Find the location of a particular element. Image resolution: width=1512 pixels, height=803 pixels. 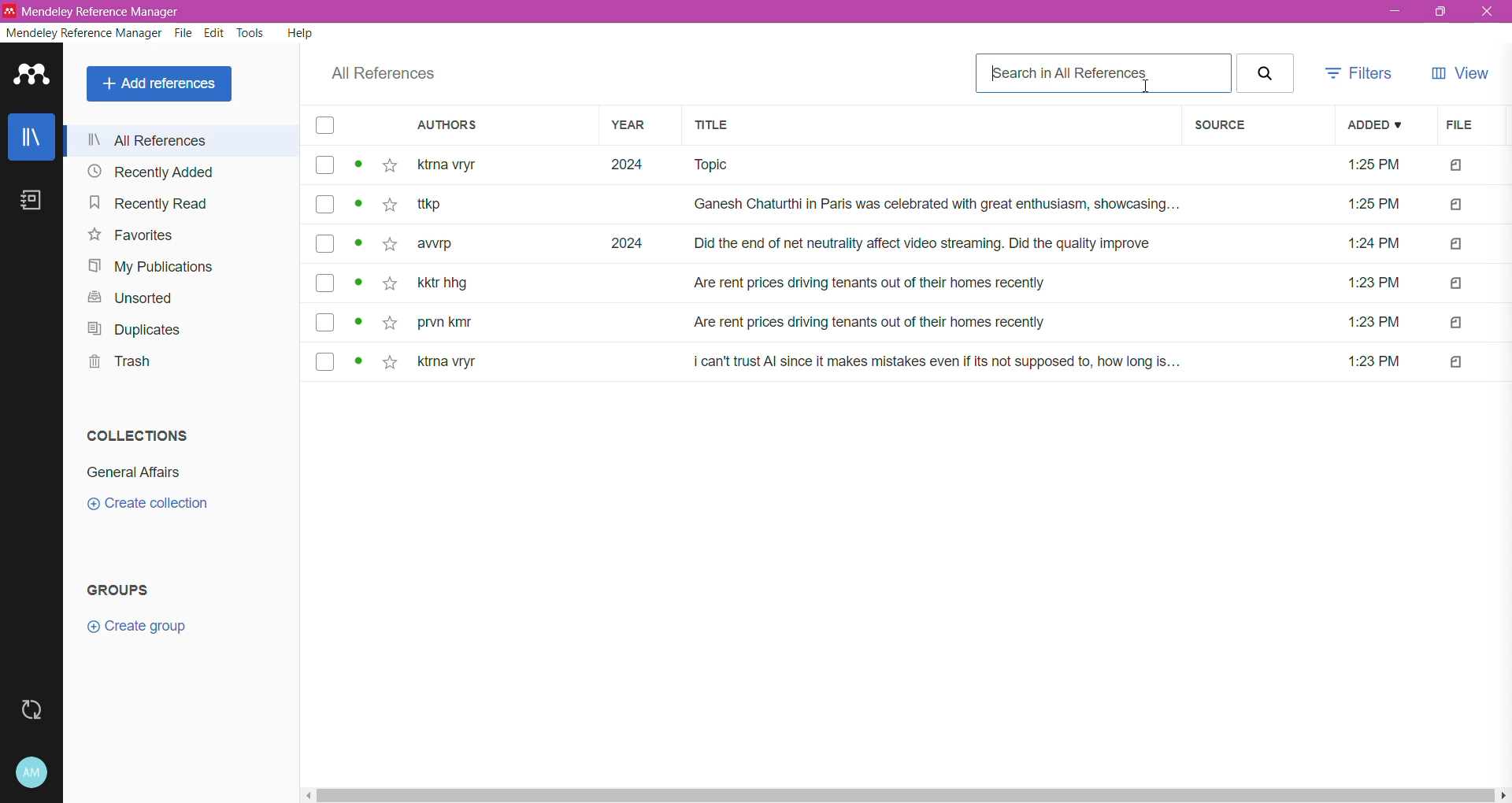

click here to add to favourites is located at coordinates (388, 204).